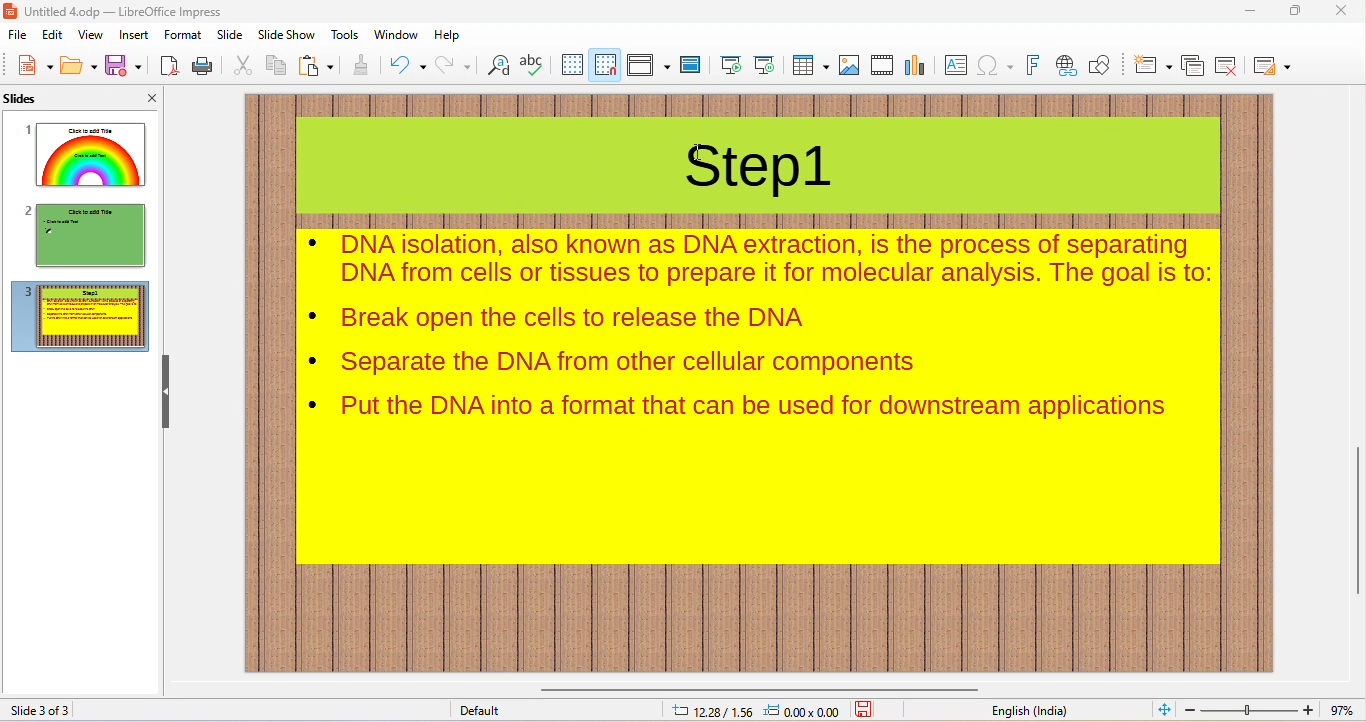 The width and height of the screenshot is (1366, 722). Describe the element at coordinates (955, 67) in the screenshot. I see `text box` at that location.